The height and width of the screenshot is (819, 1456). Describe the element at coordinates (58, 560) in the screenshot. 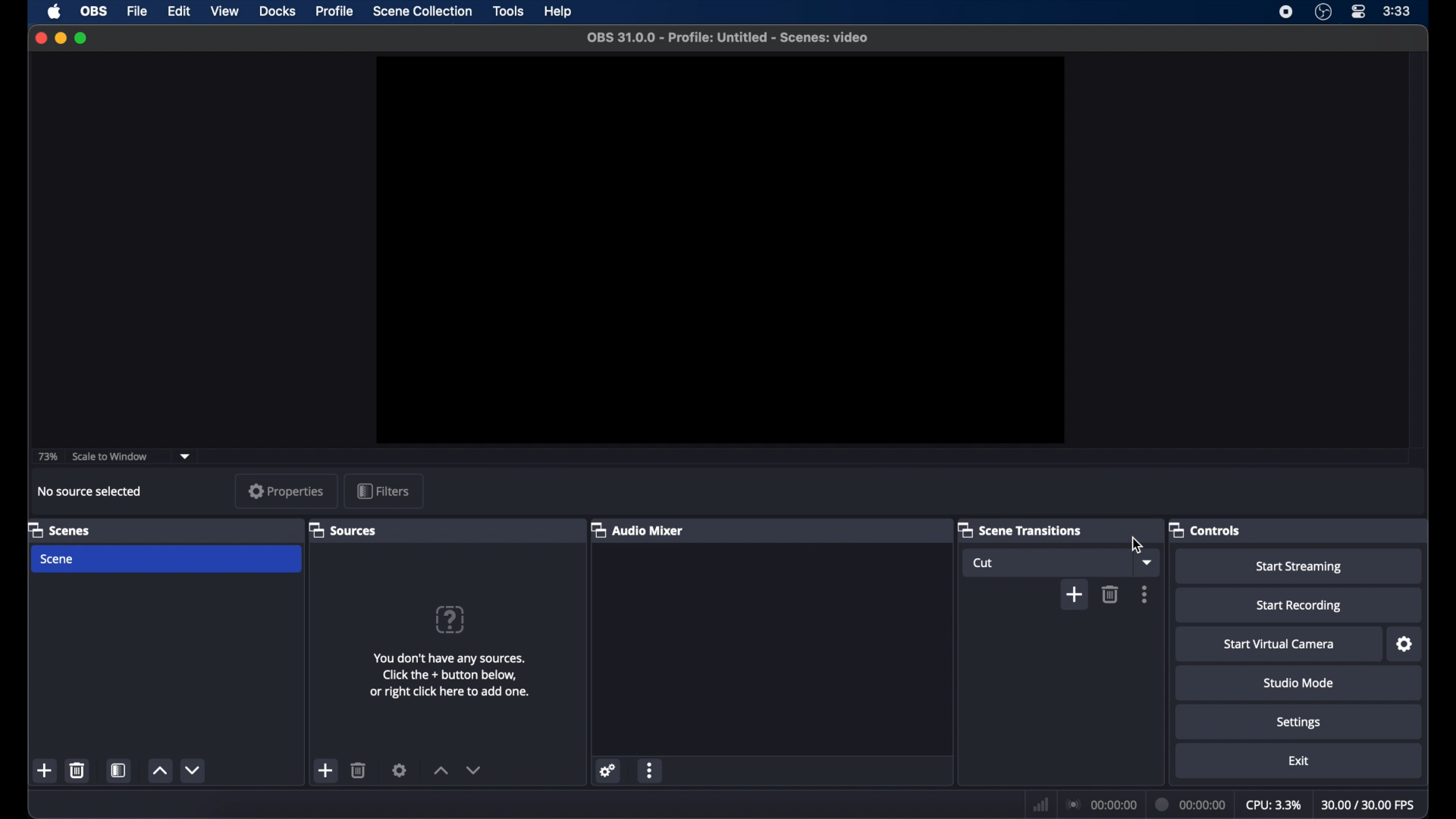

I see `scene` at that location.